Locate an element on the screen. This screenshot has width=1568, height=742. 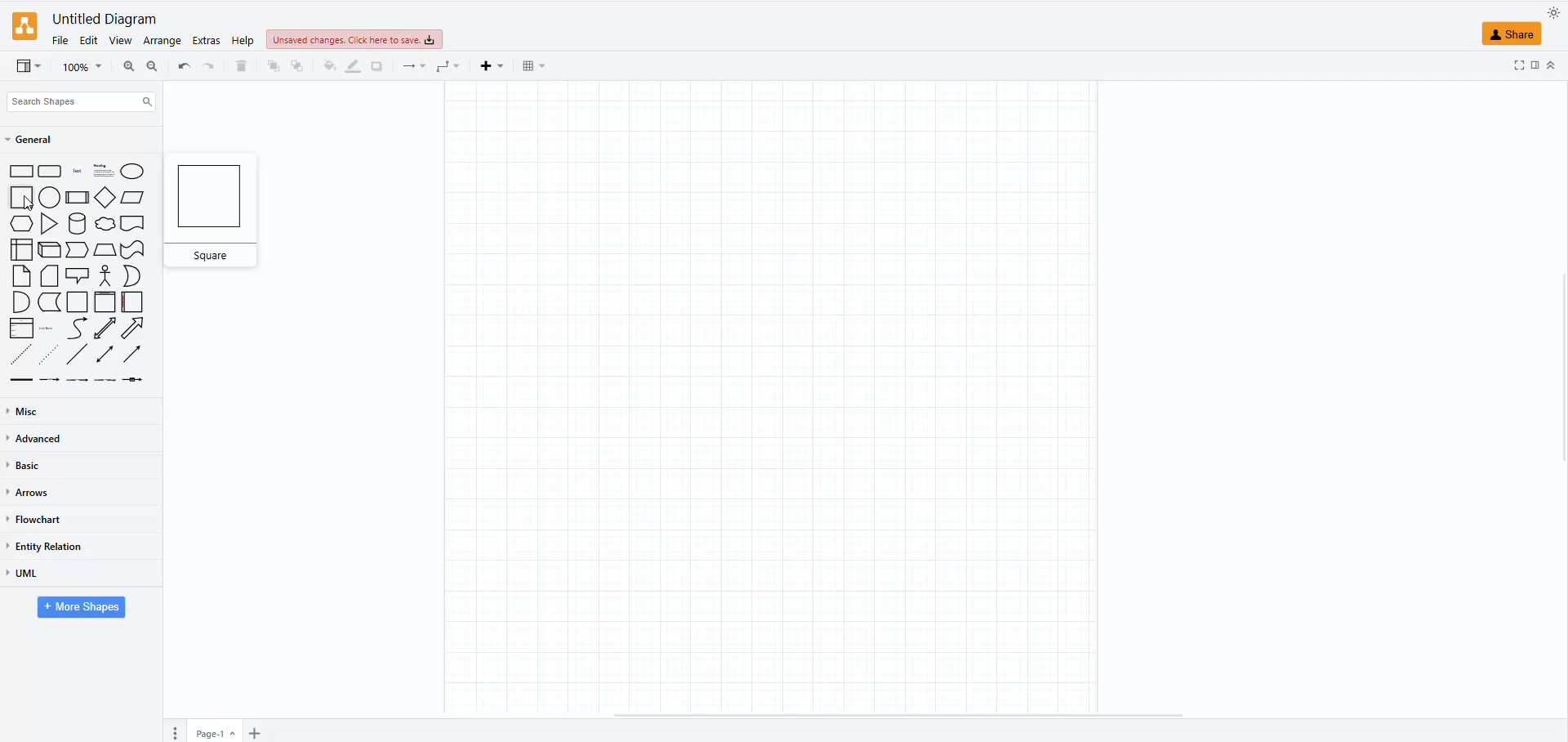
cloud is located at coordinates (105, 224).